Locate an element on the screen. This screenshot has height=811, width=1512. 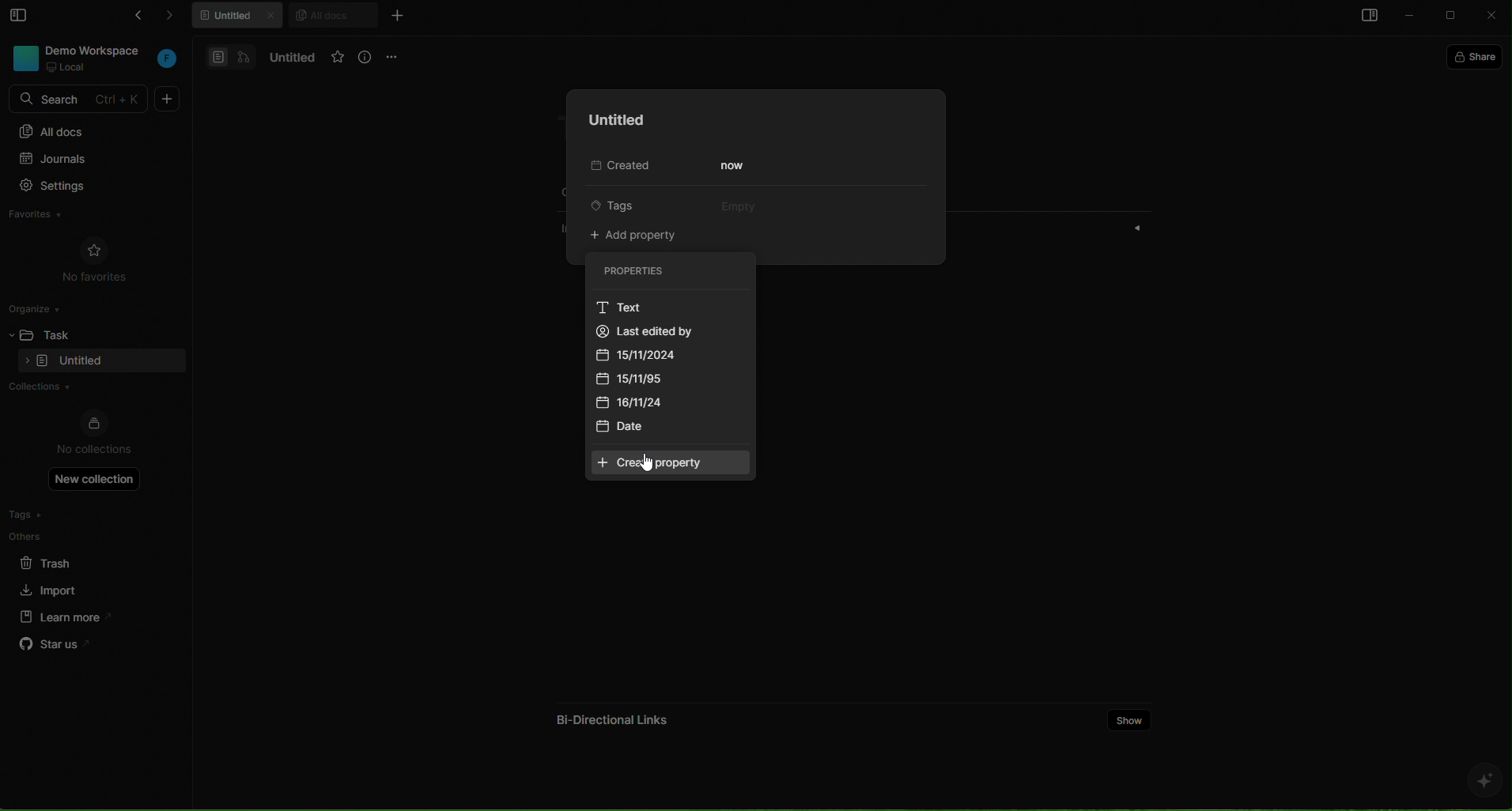
open sidebar is located at coordinates (1366, 17).